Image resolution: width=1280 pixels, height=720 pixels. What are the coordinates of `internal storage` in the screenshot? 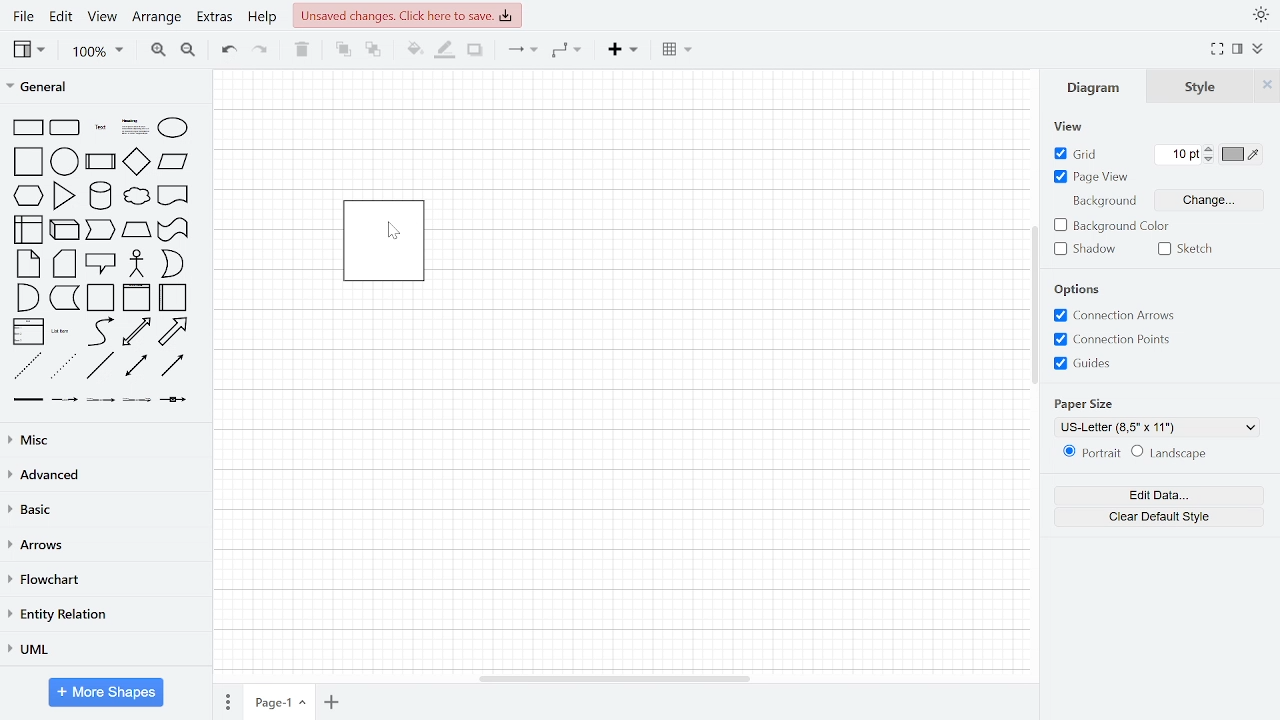 It's located at (28, 228).